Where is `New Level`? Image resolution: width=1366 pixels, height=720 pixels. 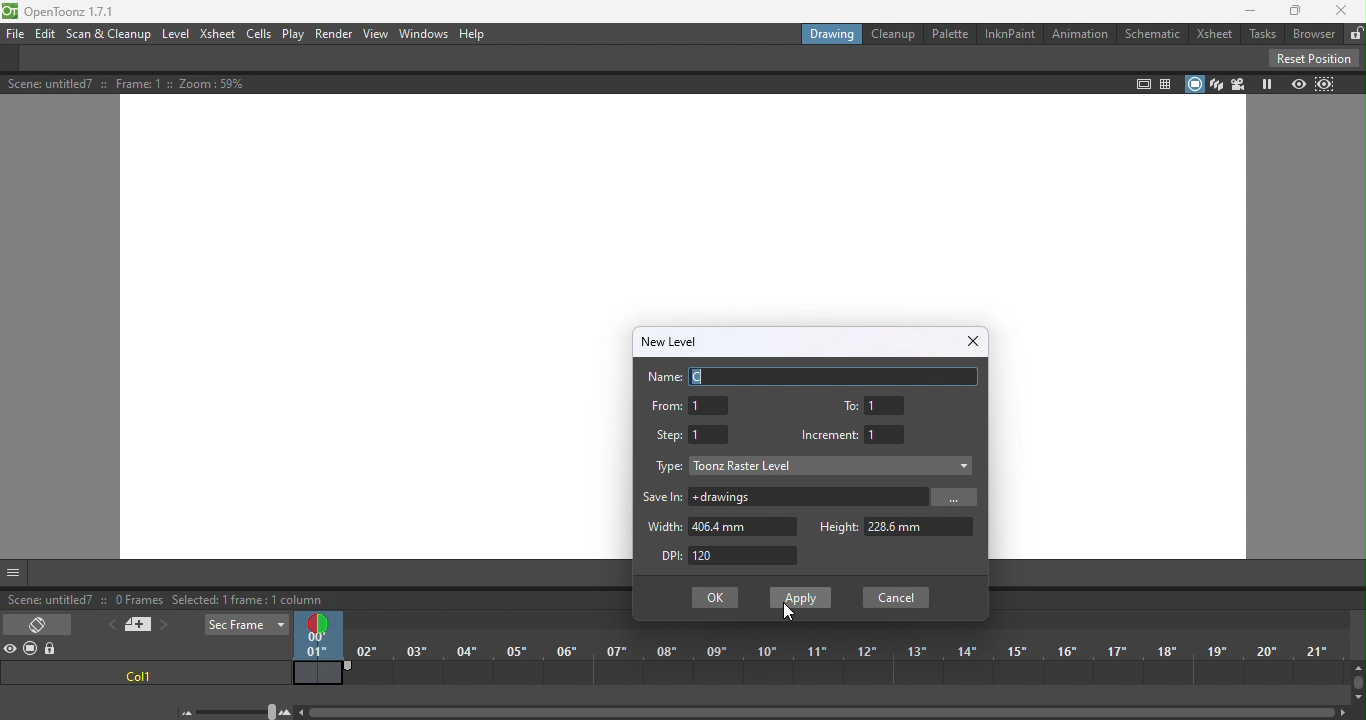
New Level is located at coordinates (670, 340).